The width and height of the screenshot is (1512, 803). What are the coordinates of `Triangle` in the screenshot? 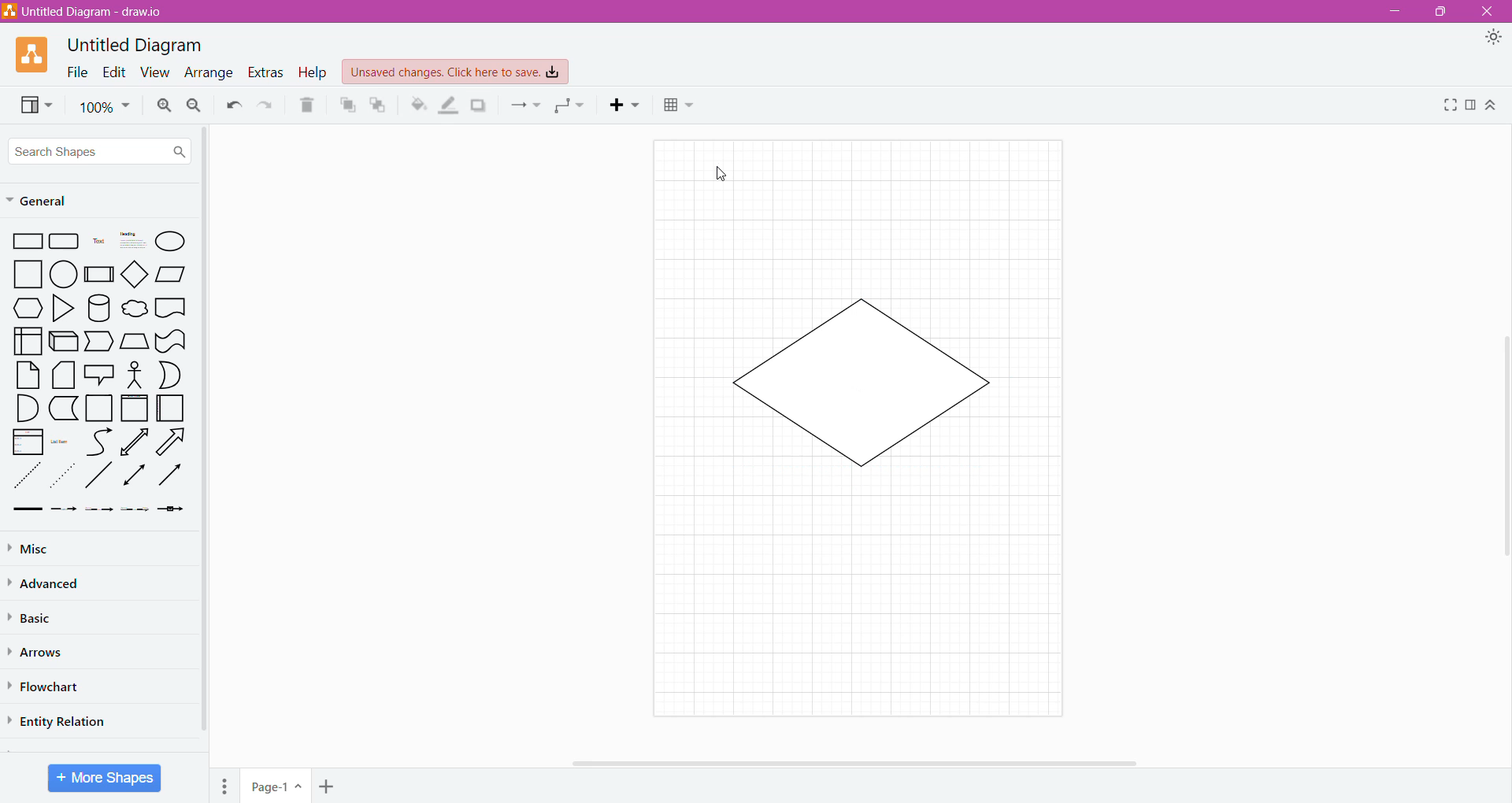 It's located at (61, 310).